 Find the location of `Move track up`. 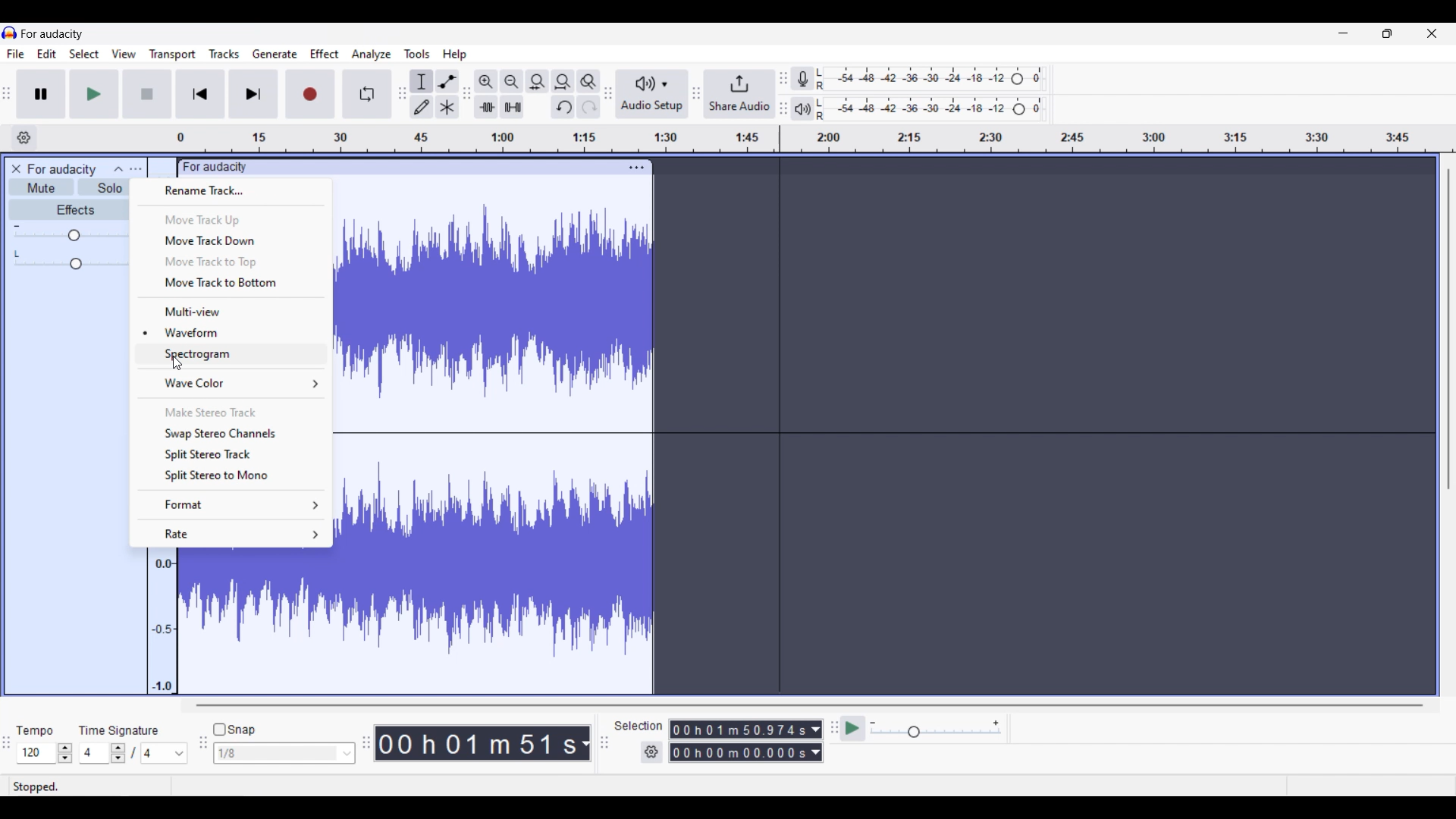

Move track up is located at coordinates (231, 218).